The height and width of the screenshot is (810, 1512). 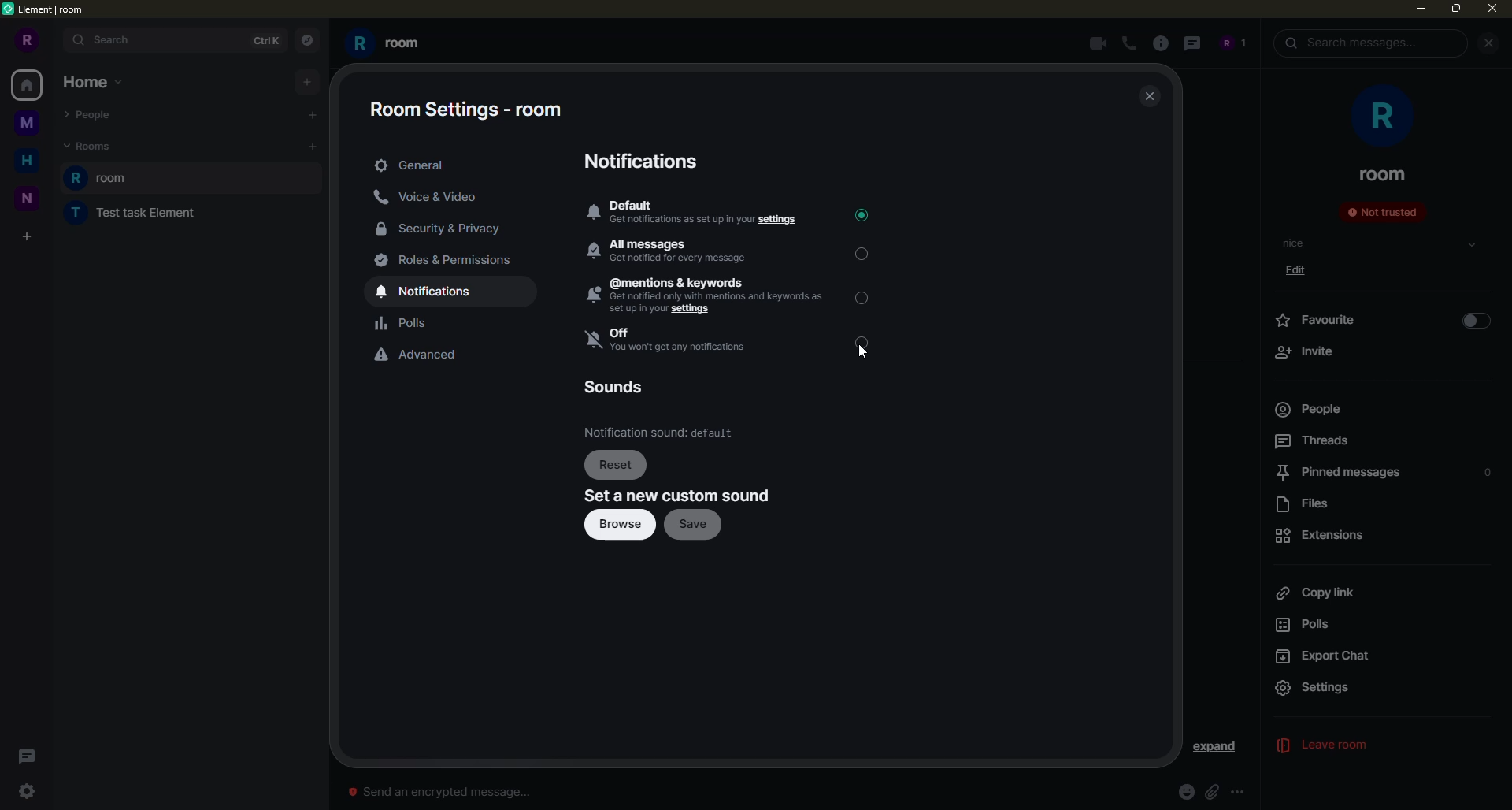 I want to click on navigation, so click(x=306, y=38).